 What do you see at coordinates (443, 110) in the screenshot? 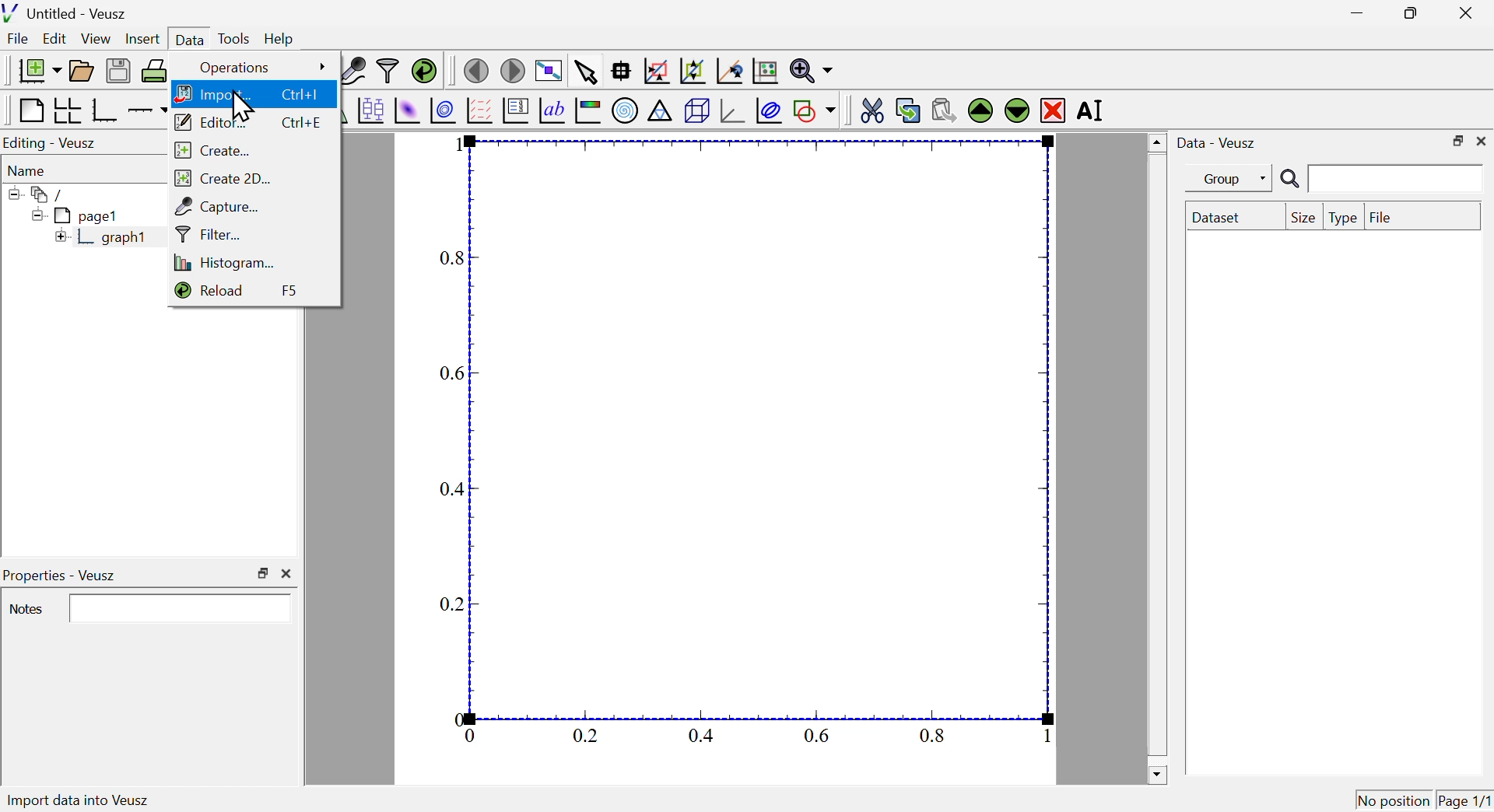
I see `plot a 2d dataset as contours` at bounding box center [443, 110].